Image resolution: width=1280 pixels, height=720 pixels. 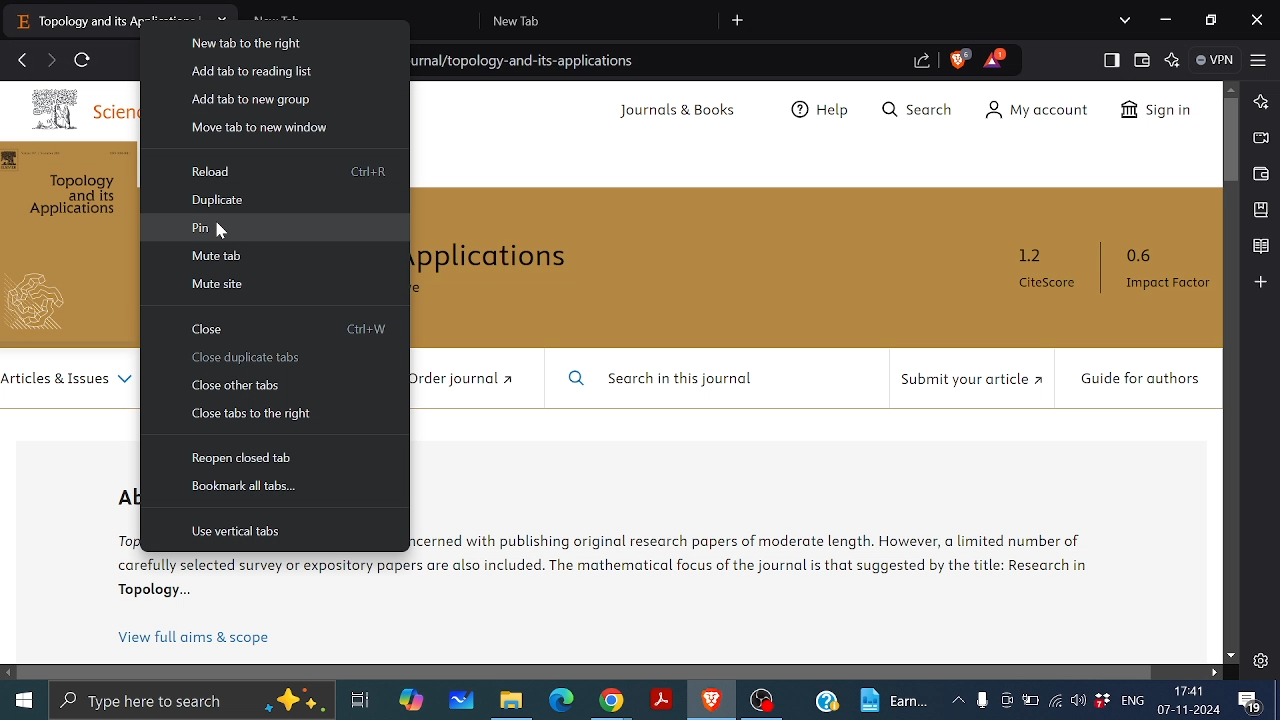 What do you see at coordinates (459, 701) in the screenshot?
I see `White board` at bounding box center [459, 701].